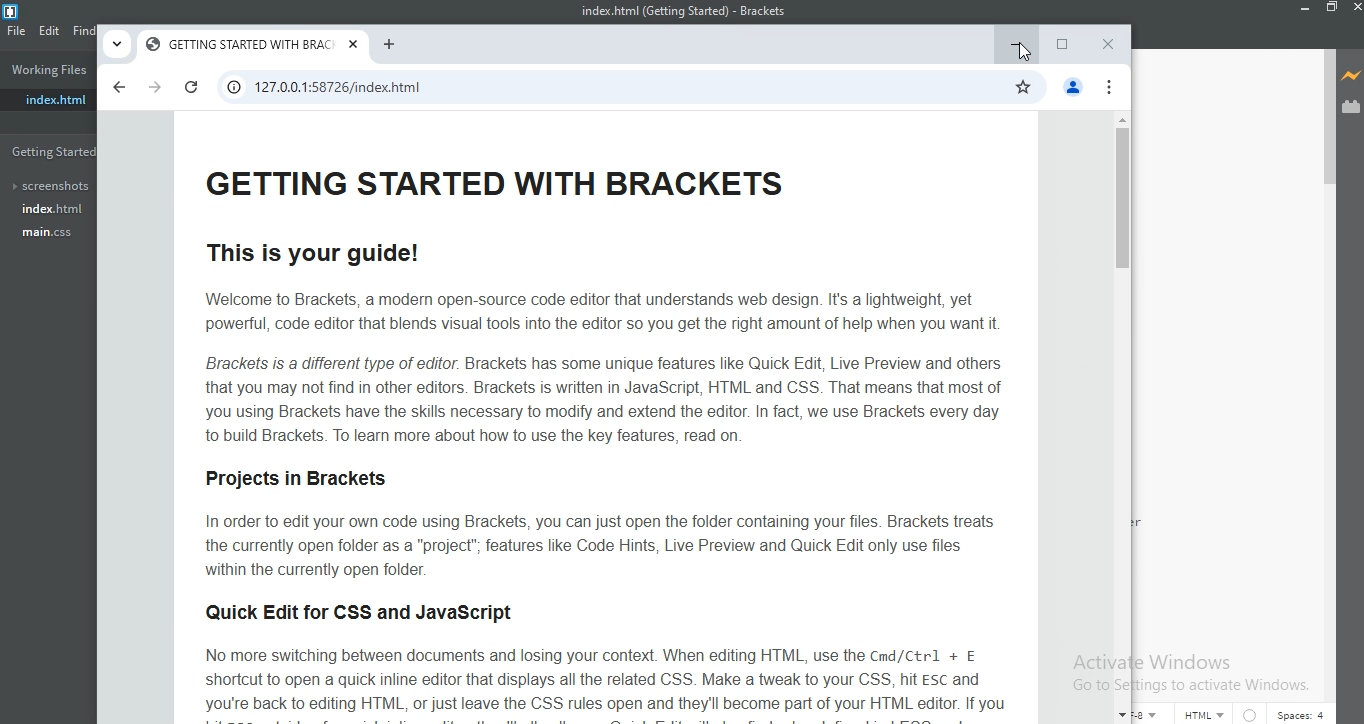  What do you see at coordinates (52, 150) in the screenshot?
I see `getting started` at bounding box center [52, 150].